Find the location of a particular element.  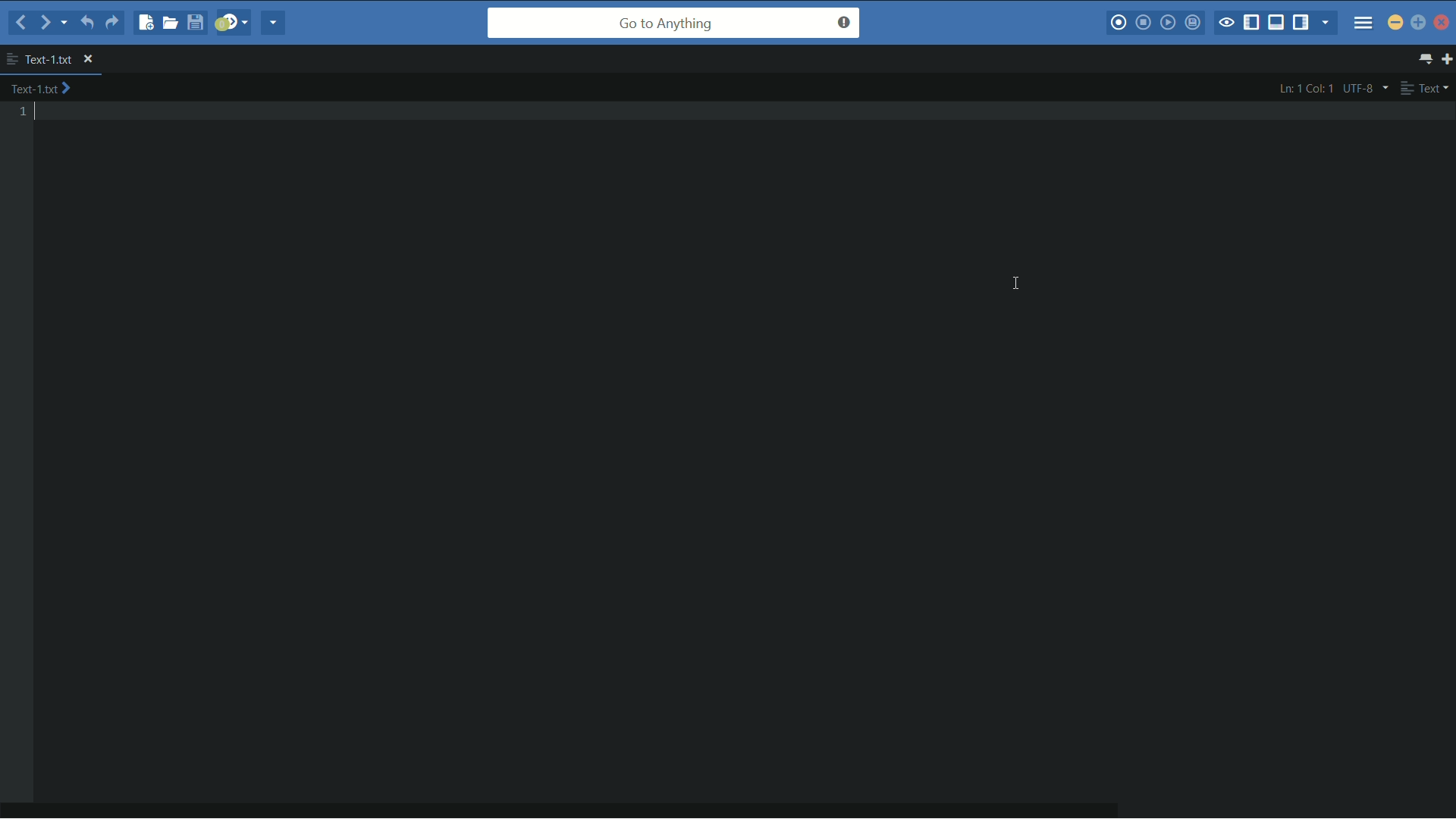

maximize is located at coordinates (1419, 23).